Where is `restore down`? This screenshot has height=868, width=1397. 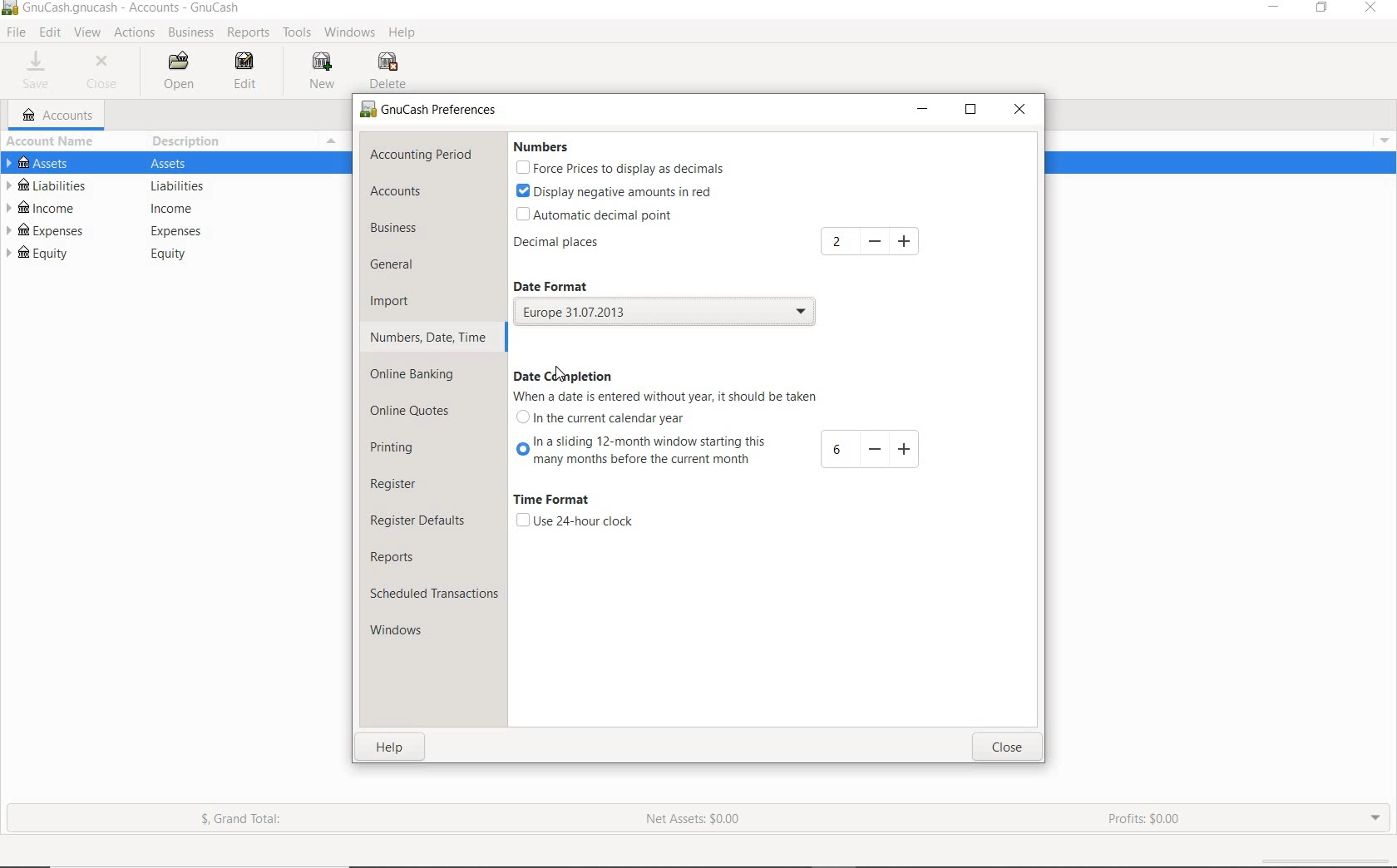
restore down is located at coordinates (975, 113).